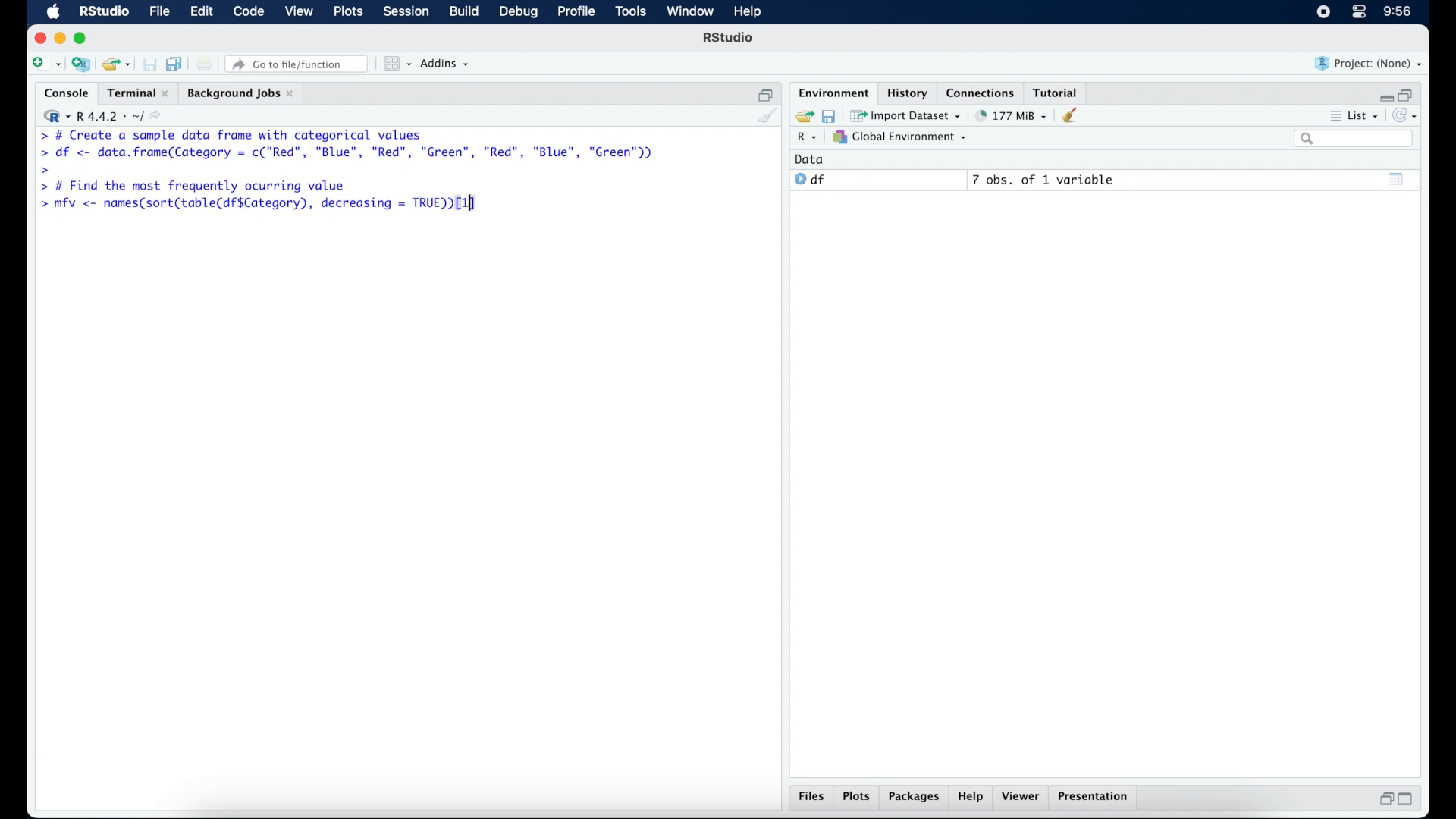  What do you see at coordinates (1384, 799) in the screenshot?
I see `restore down` at bounding box center [1384, 799].